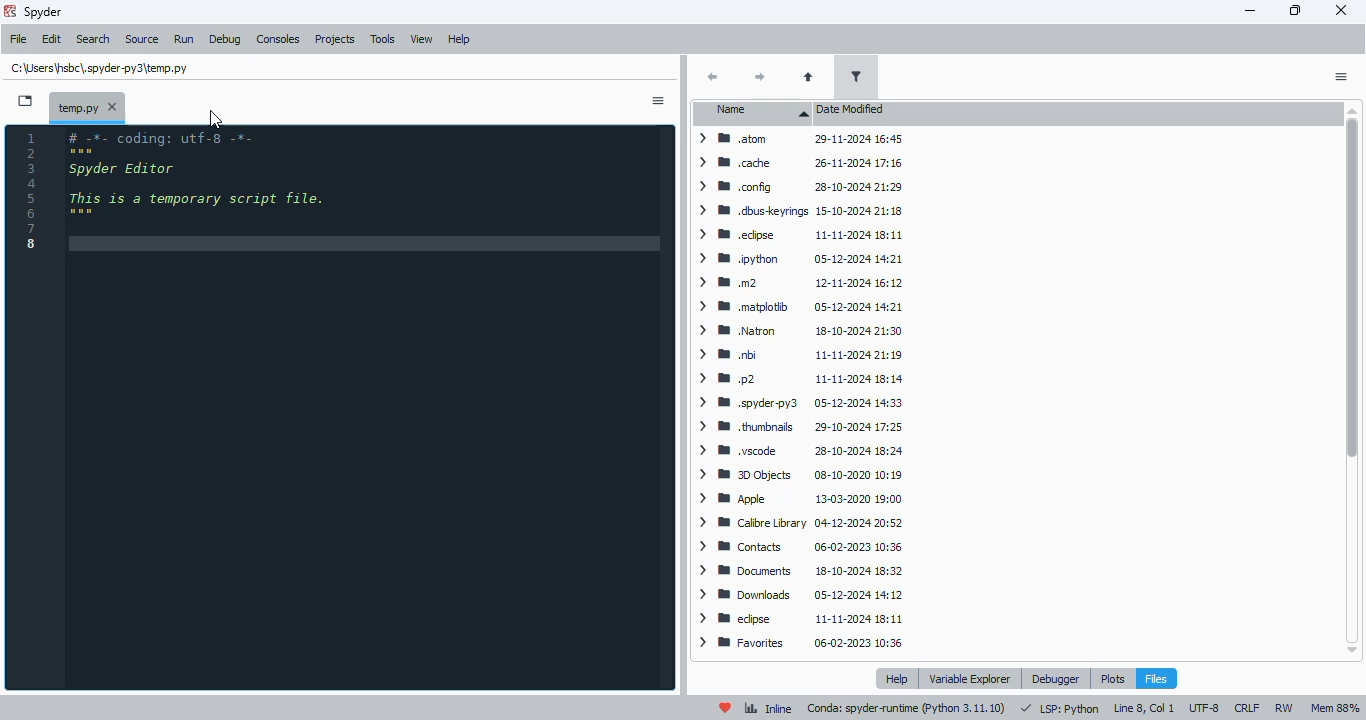 The image size is (1366, 720). What do you see at coordinates (94, 40) in the screenshot?
I see `search` at bounding box center [94, 40].